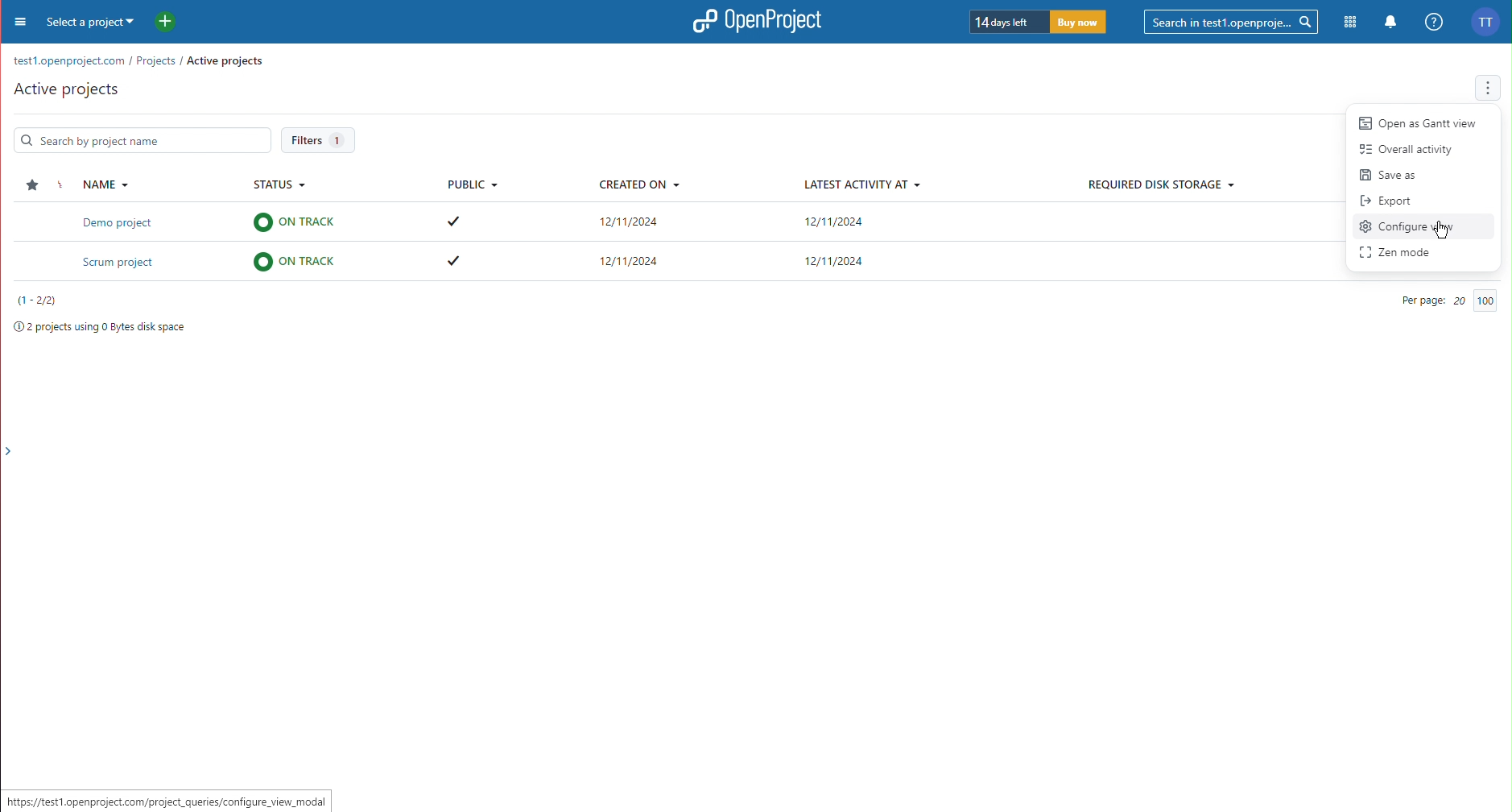 The image size is (1512, 812). I want to click on Latest Activity At, so click(862, 186).